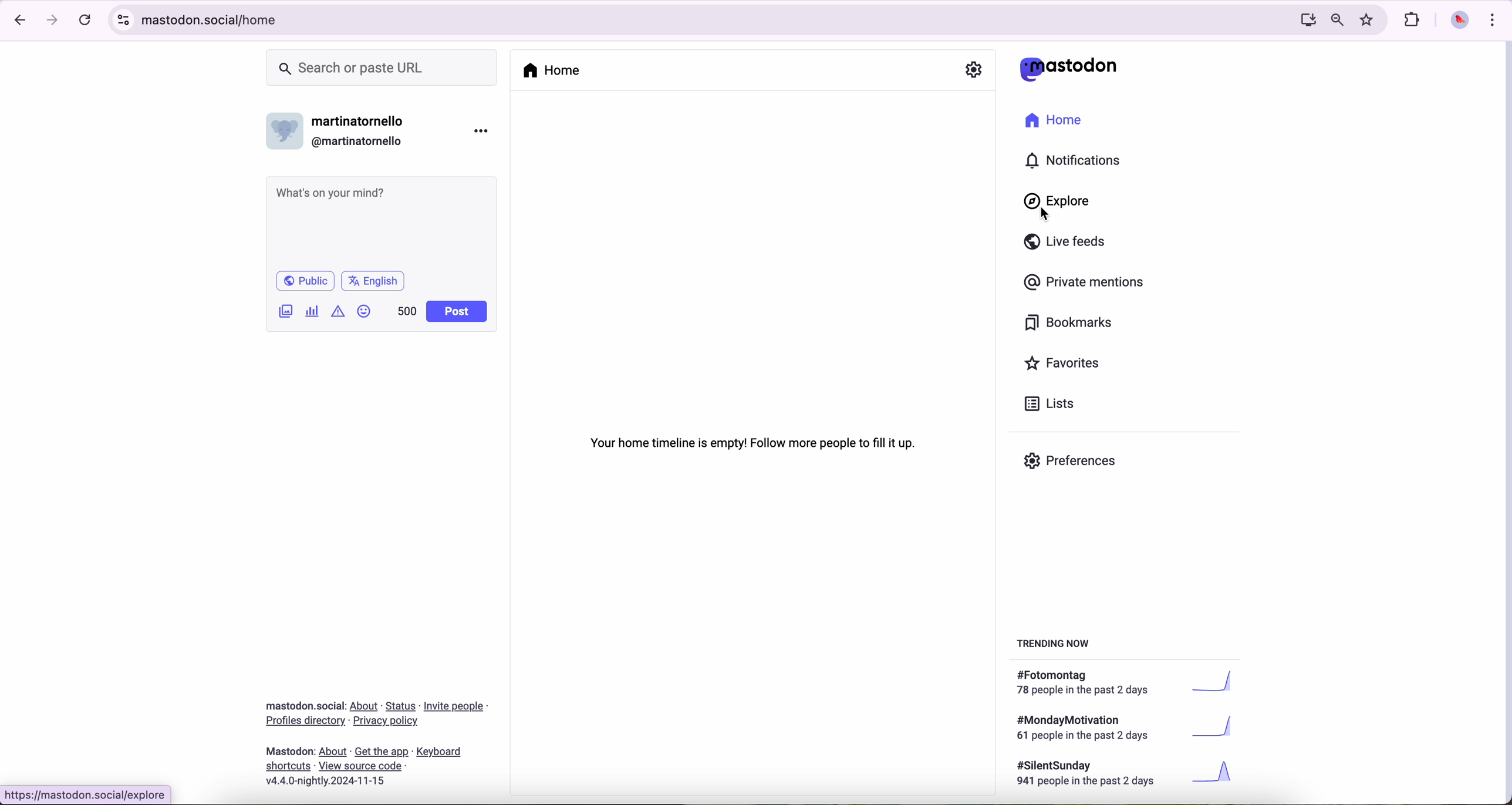 The image size is (1512, 805). I want to click on public, so click(304, 281).